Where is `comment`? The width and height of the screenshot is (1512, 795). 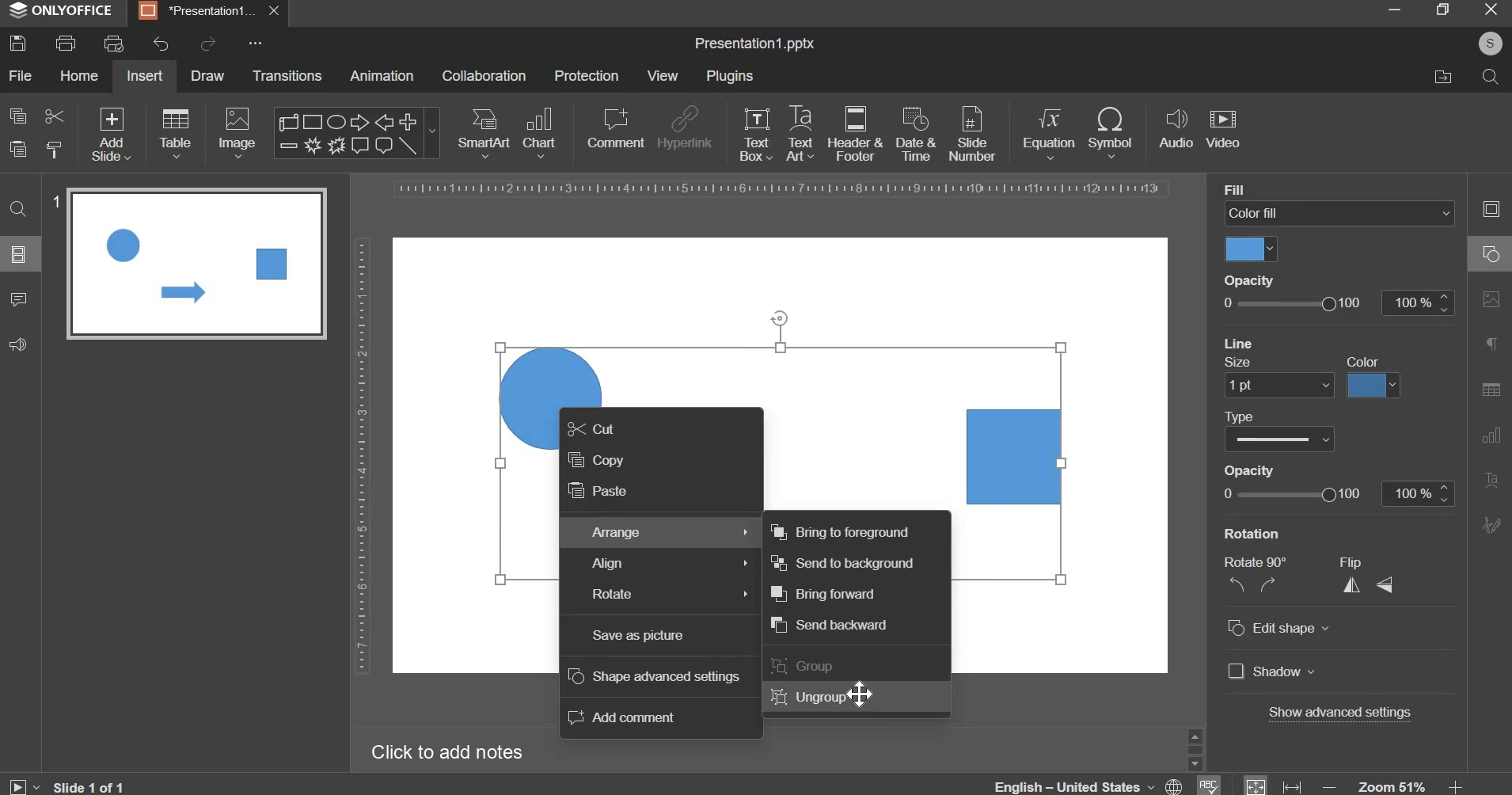 comment is located at coordinates (17, 298).